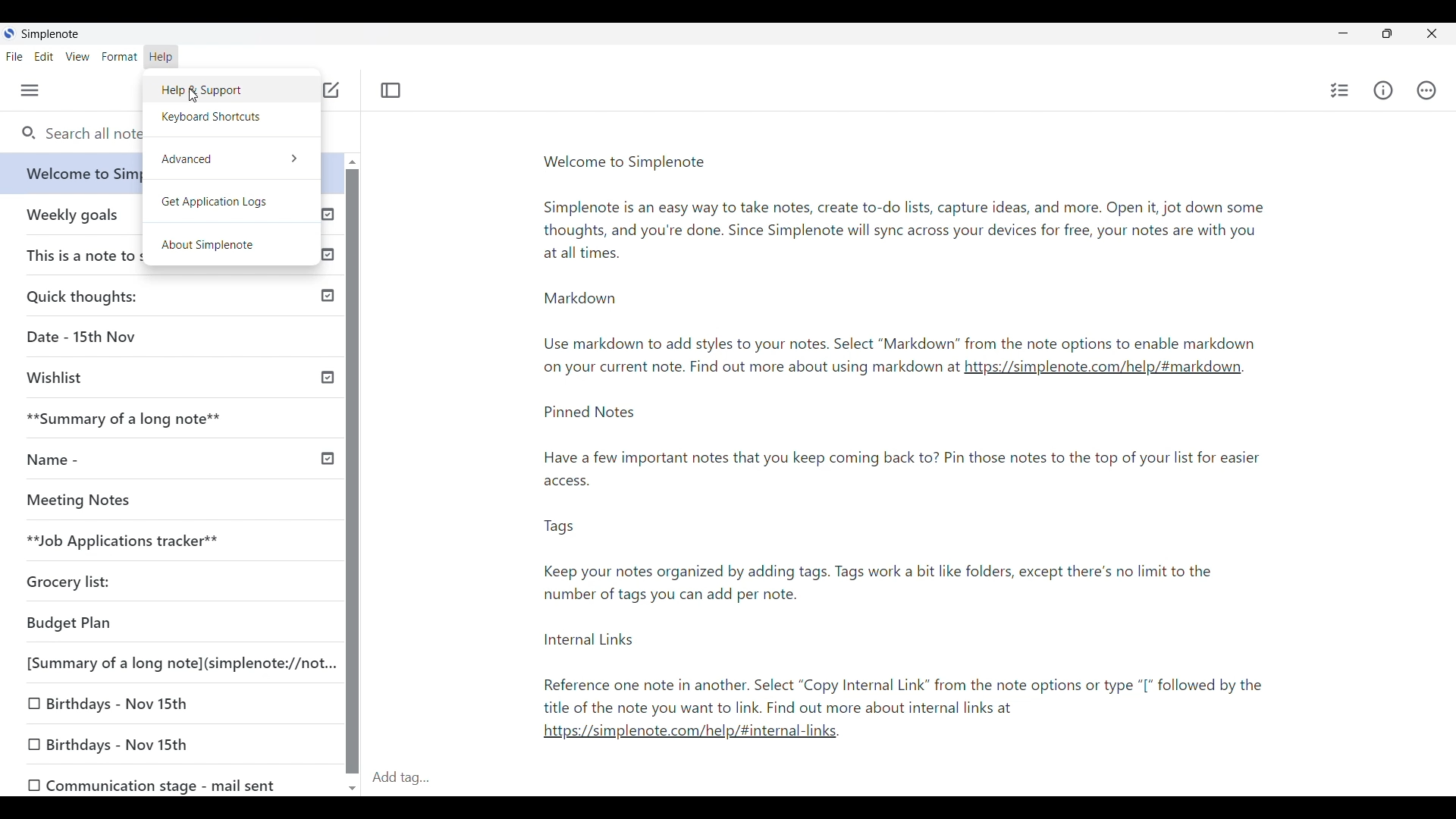 The width and height of the screenshot is (1456, 819). What do you see at coordinates (99, 745) in the screenshot?
I see `0 Birthdays - Nov 15th` at bounding box center [99, 745].